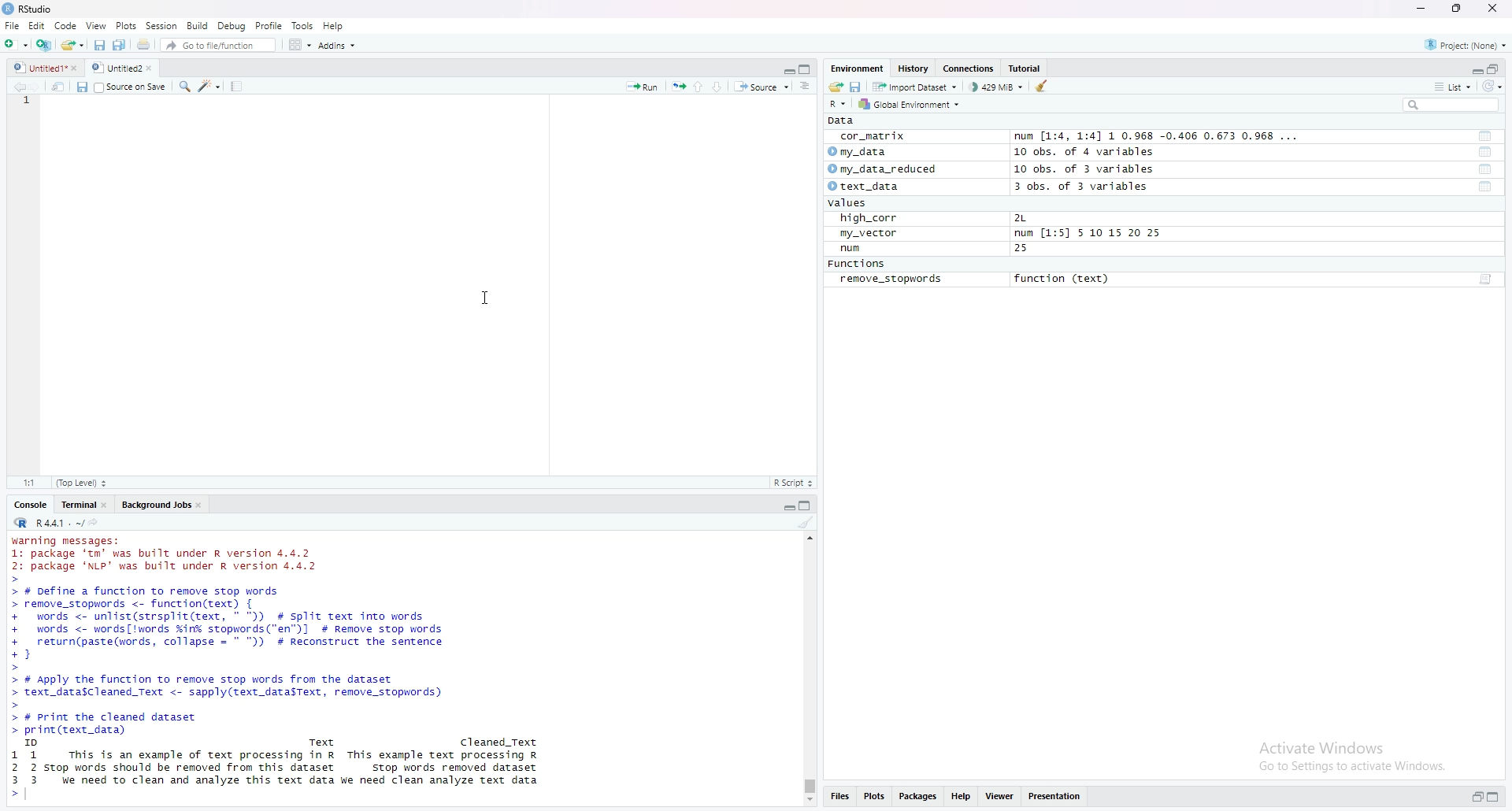 Image resolution: width=1512 pixels, height=811 pixels. I want to click on Create a new project, so click(43, 45).